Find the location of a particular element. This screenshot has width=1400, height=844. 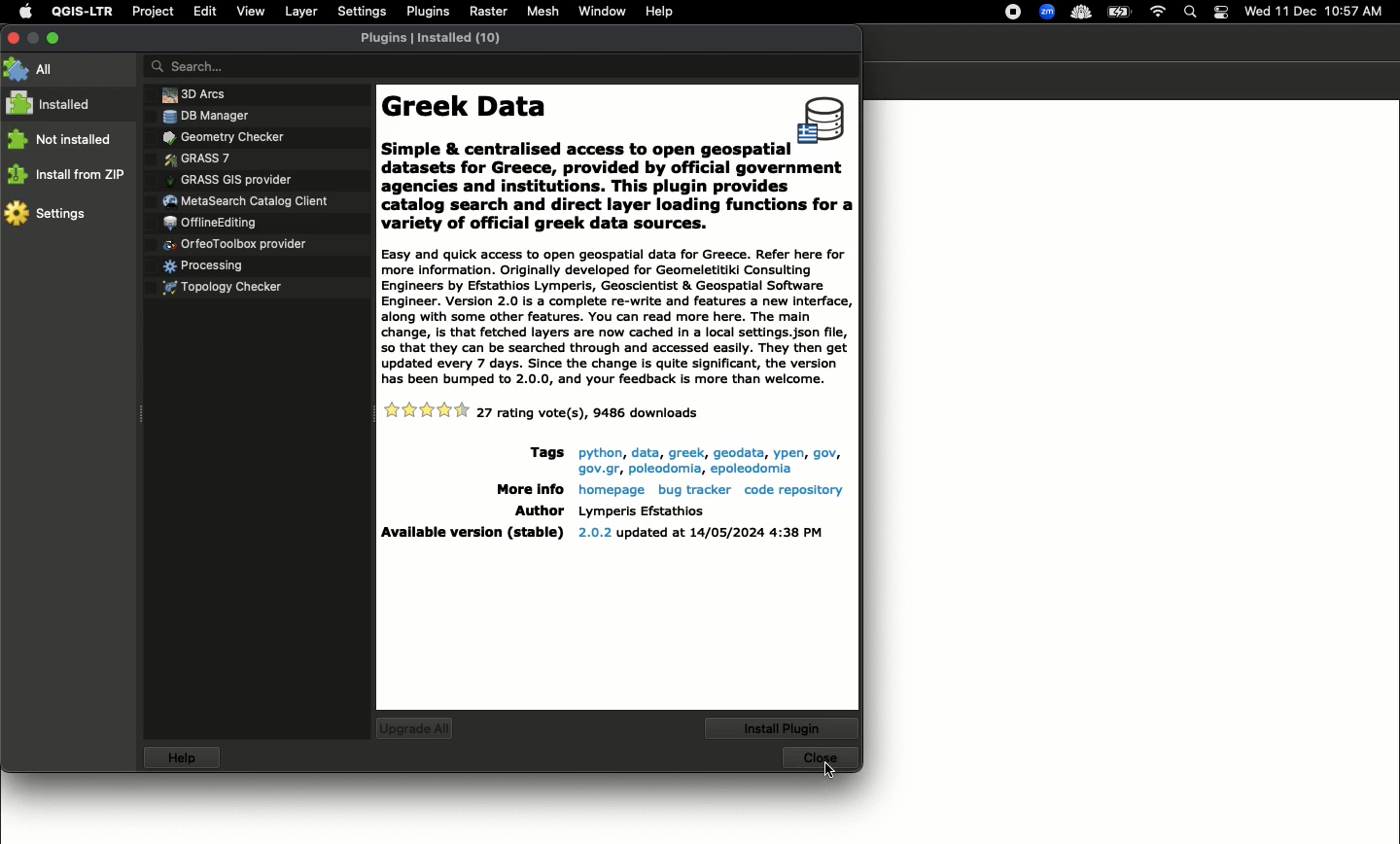

Geometry checker is located at coordinates (221, 137).